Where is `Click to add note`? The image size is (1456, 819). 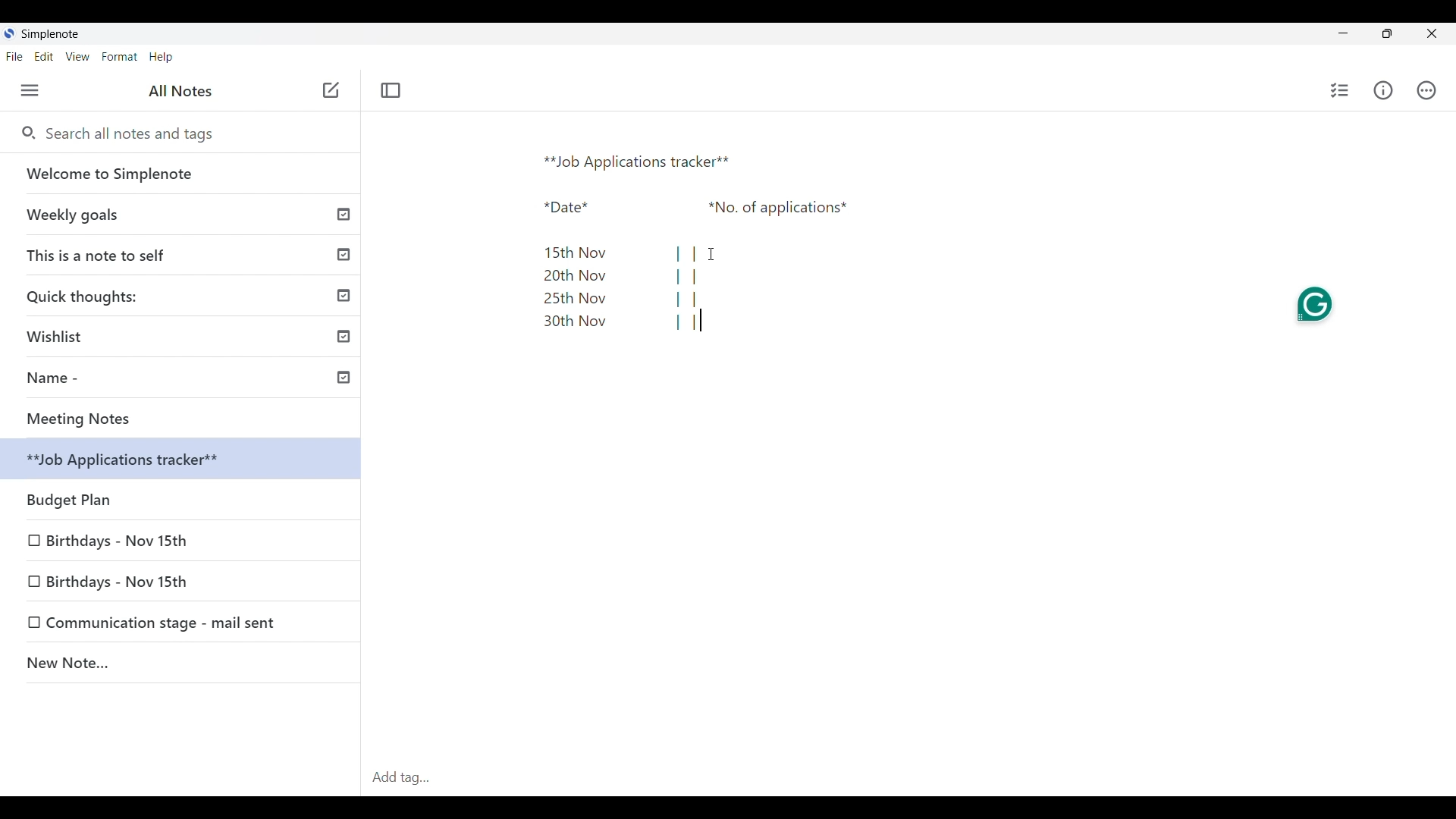 Click to add note is located at coordinates (332, 89).